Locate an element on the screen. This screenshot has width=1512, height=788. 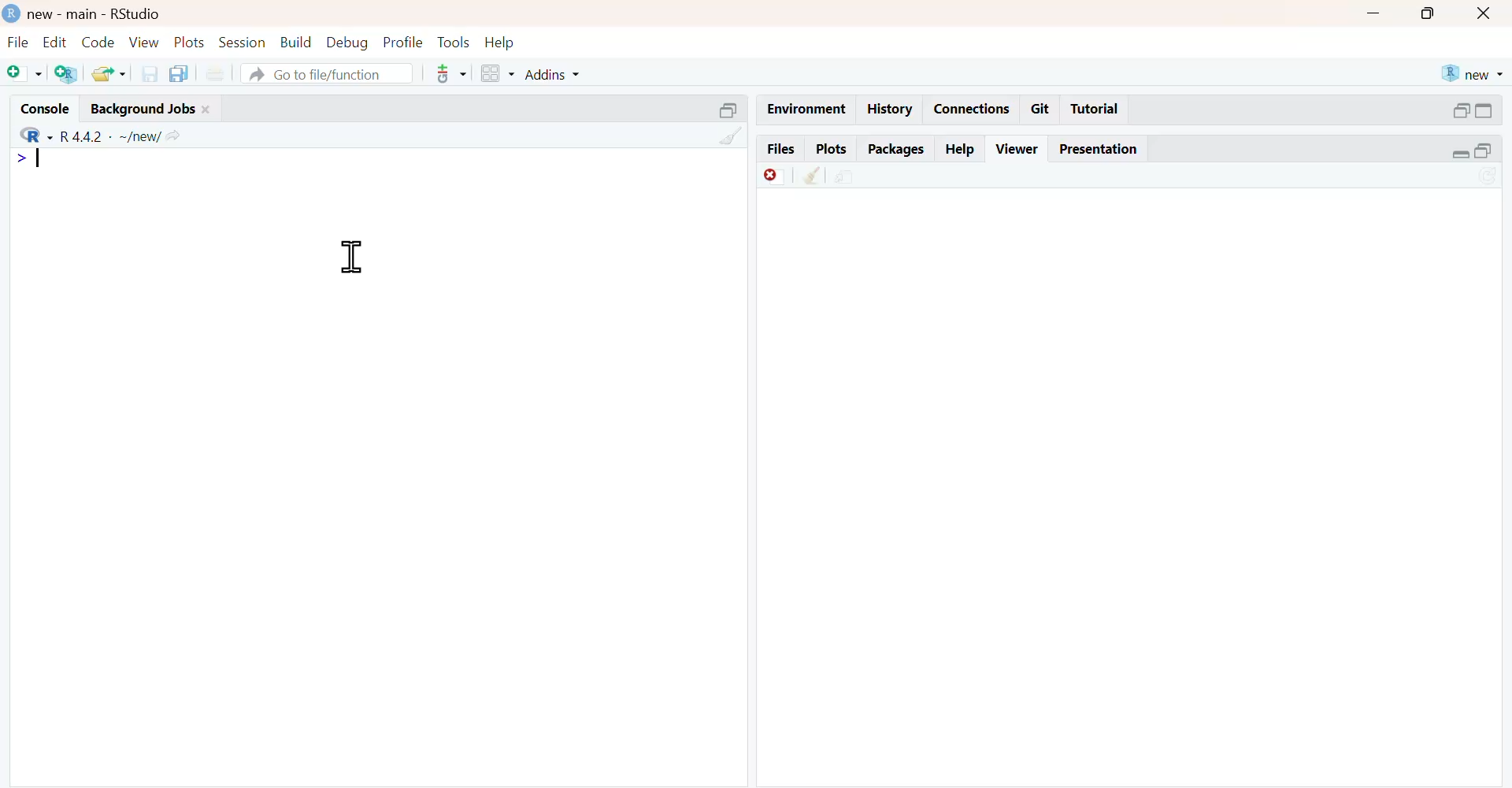
expand/collapse is located at coordinates (1485, 111).